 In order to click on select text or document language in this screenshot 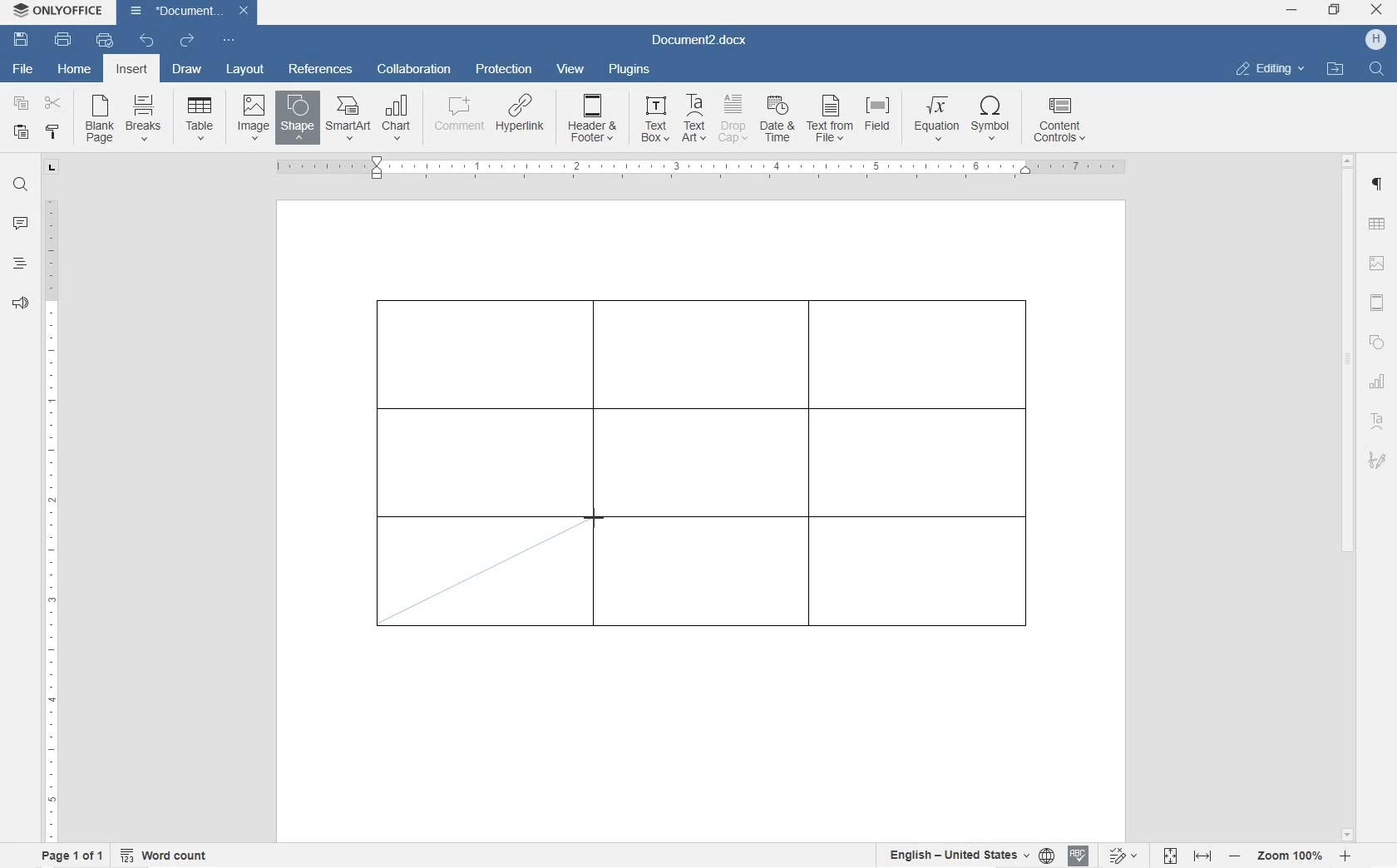, I will do `click(969, 857)`.